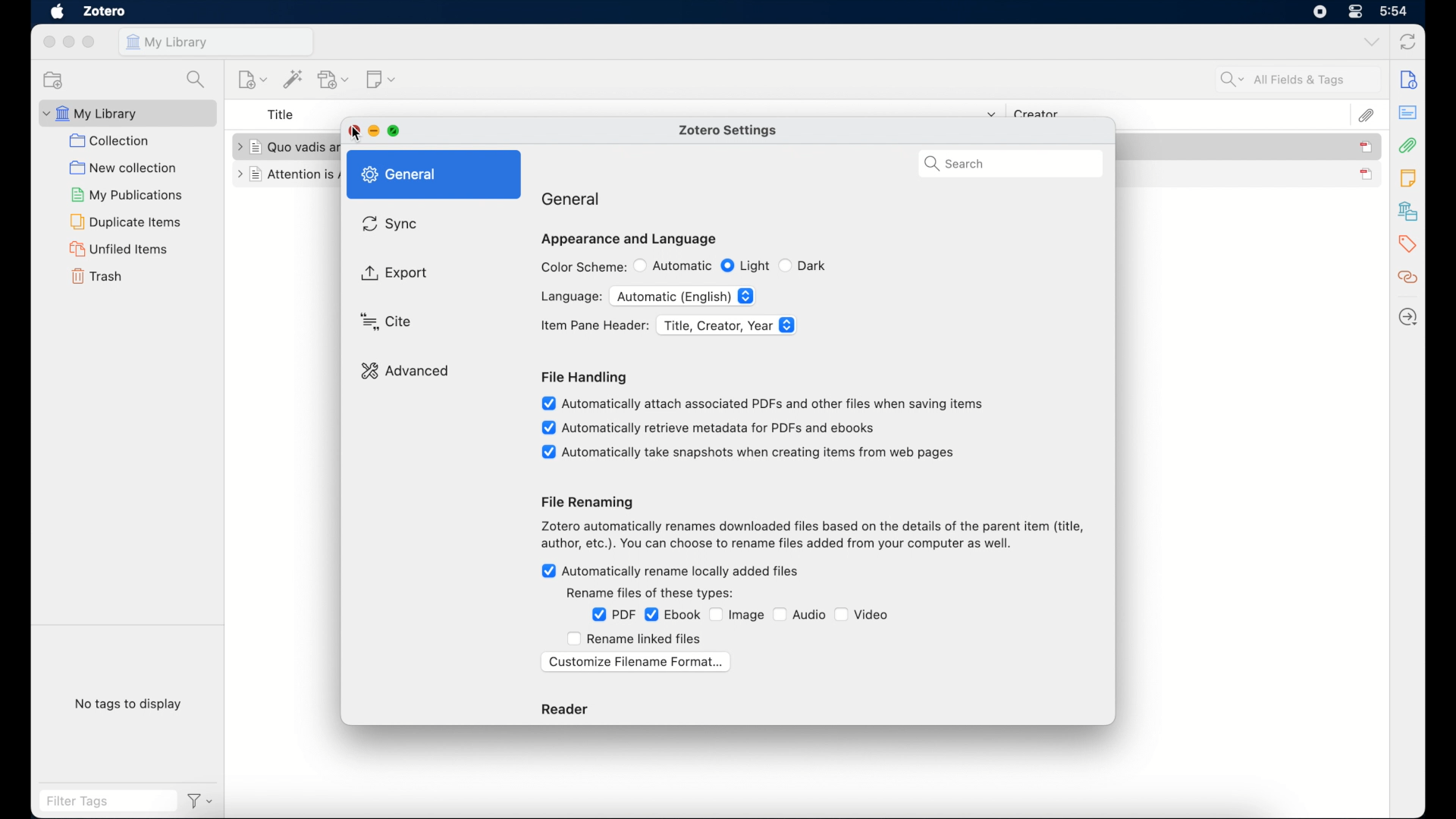 The image size is (1456, 819). I want to click on sync, so click(1407, 41).